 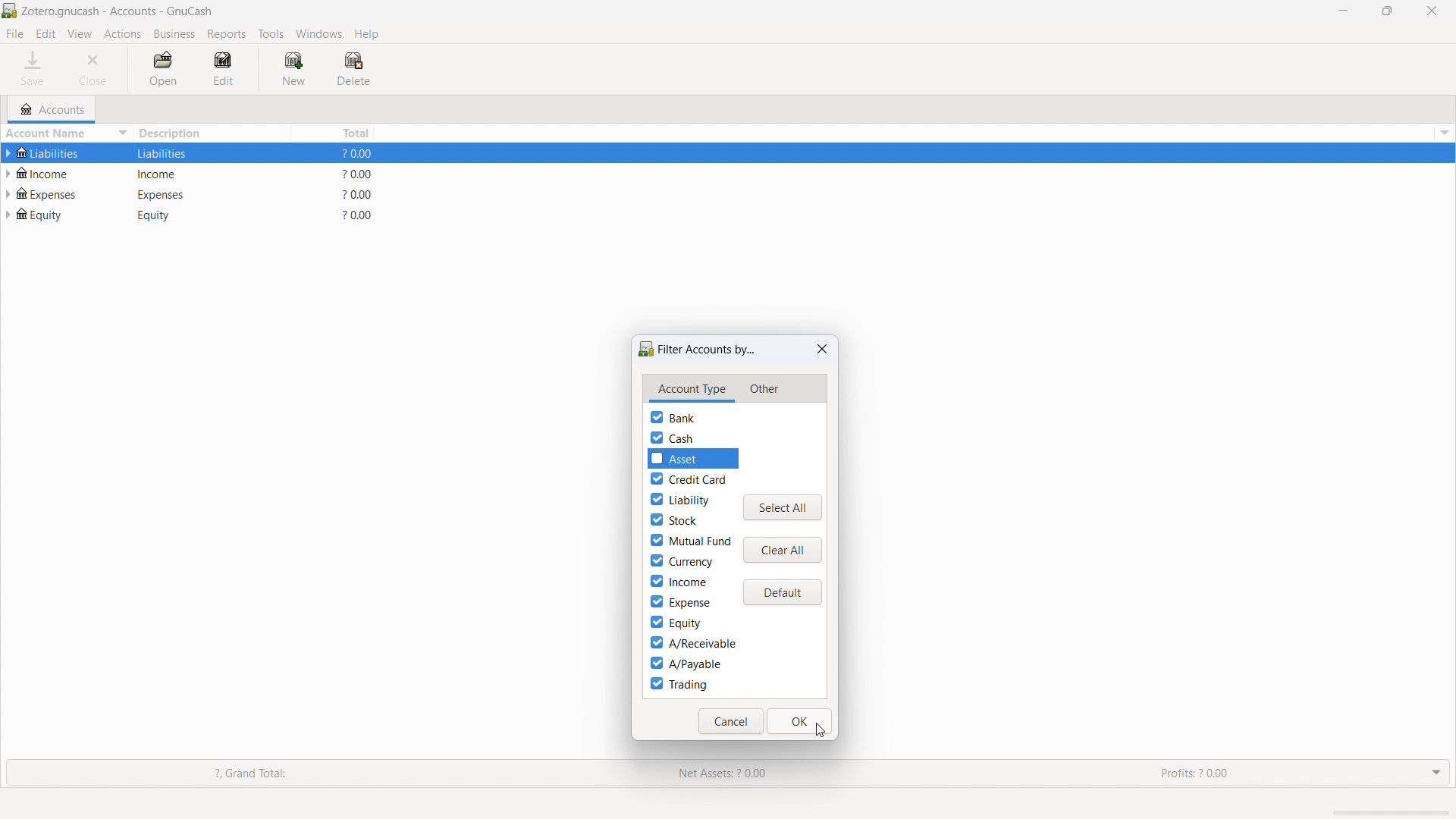 What do you see at coordinates (675, 623) in the screenshot?
I see `equity` at bounding box center [675, 623].